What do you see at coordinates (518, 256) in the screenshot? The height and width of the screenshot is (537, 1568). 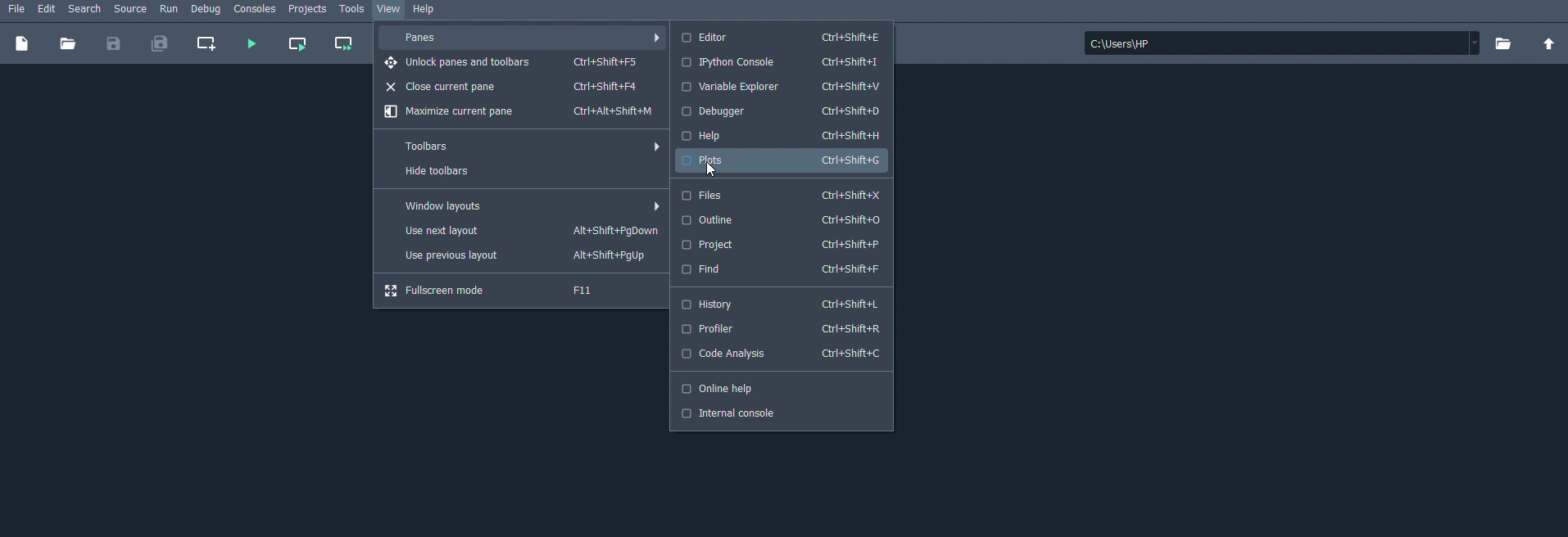 I see `Use previous layout` at bounding box center [518, 256].